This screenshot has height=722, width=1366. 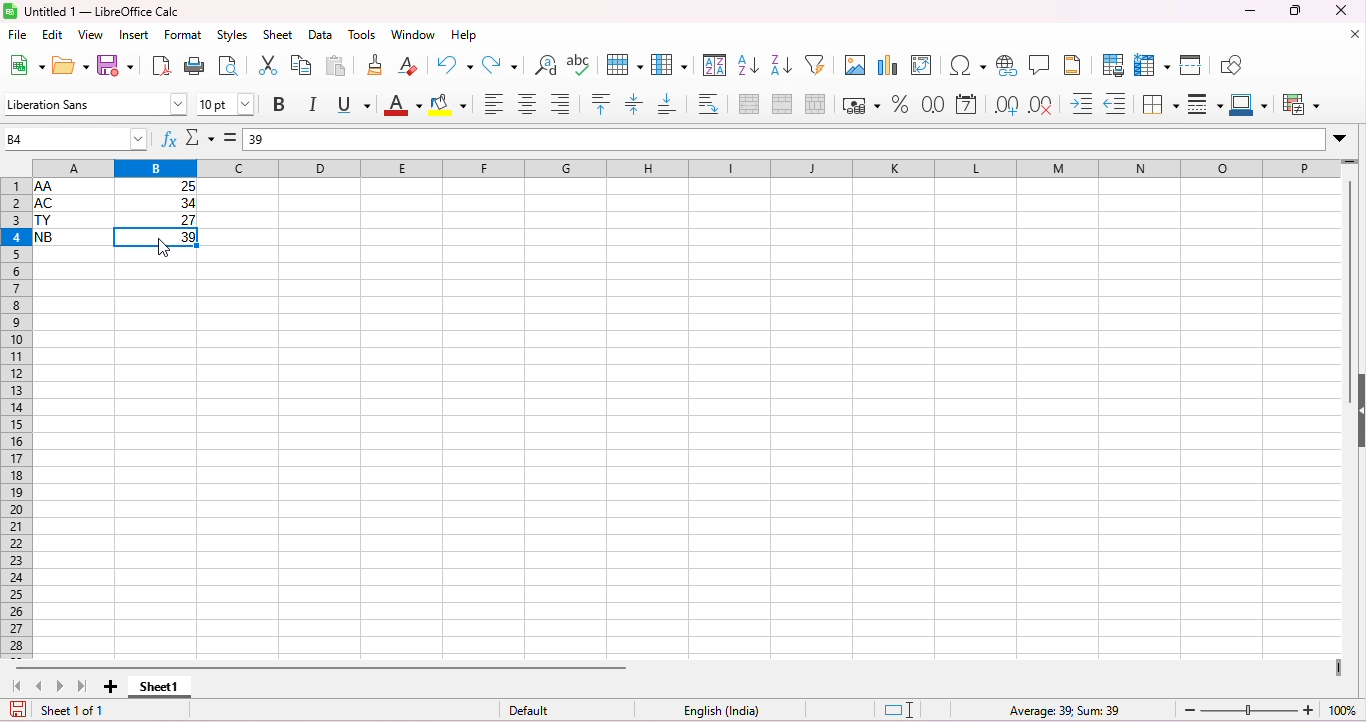 I want to click on 39, so click(x=258, y=140).